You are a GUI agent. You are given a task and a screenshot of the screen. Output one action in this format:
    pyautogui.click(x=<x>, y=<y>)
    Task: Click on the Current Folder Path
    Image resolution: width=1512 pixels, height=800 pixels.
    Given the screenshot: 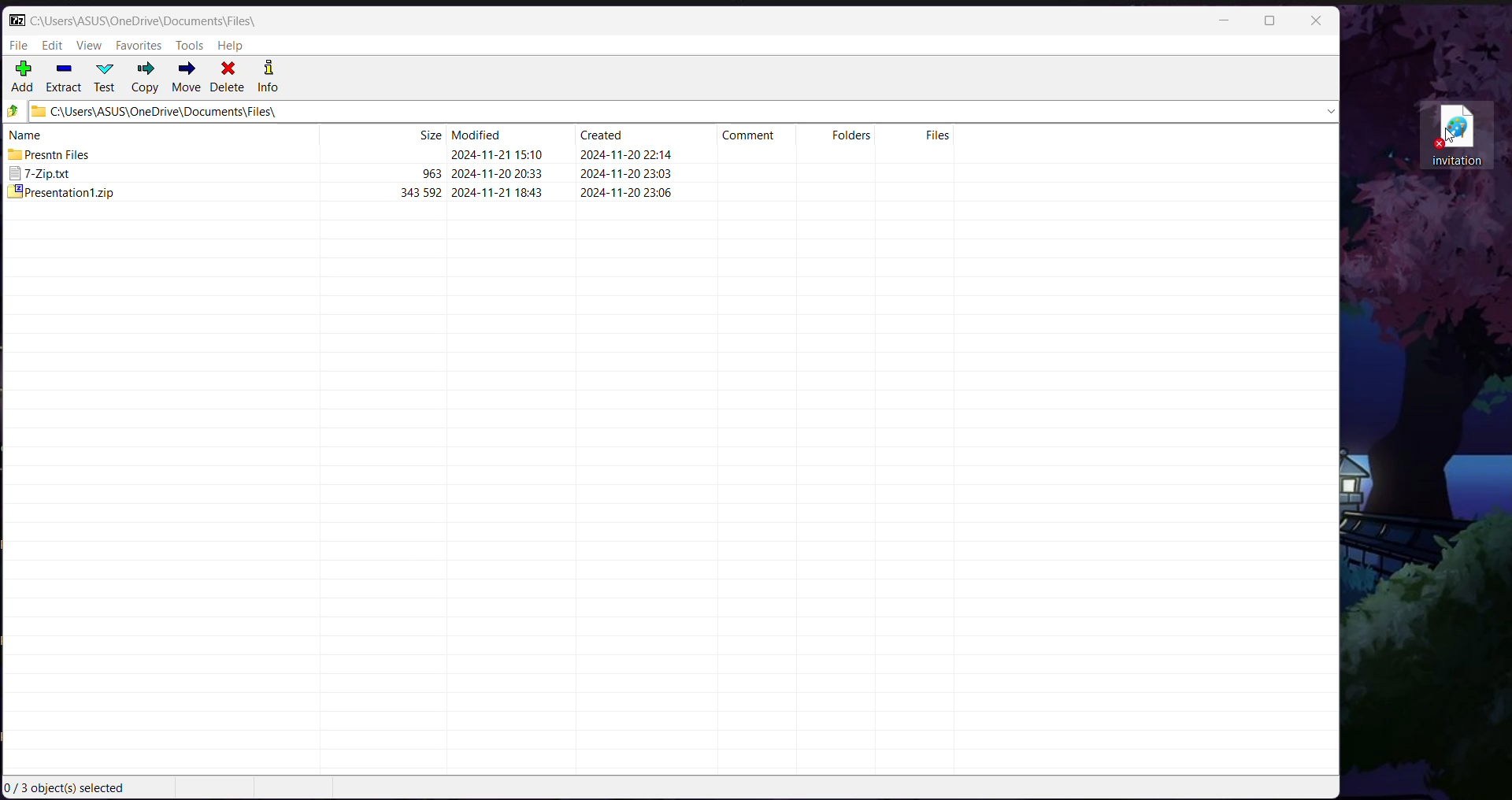 What is the action you would take?
    pyautogui.click(x=682, y=110)
    